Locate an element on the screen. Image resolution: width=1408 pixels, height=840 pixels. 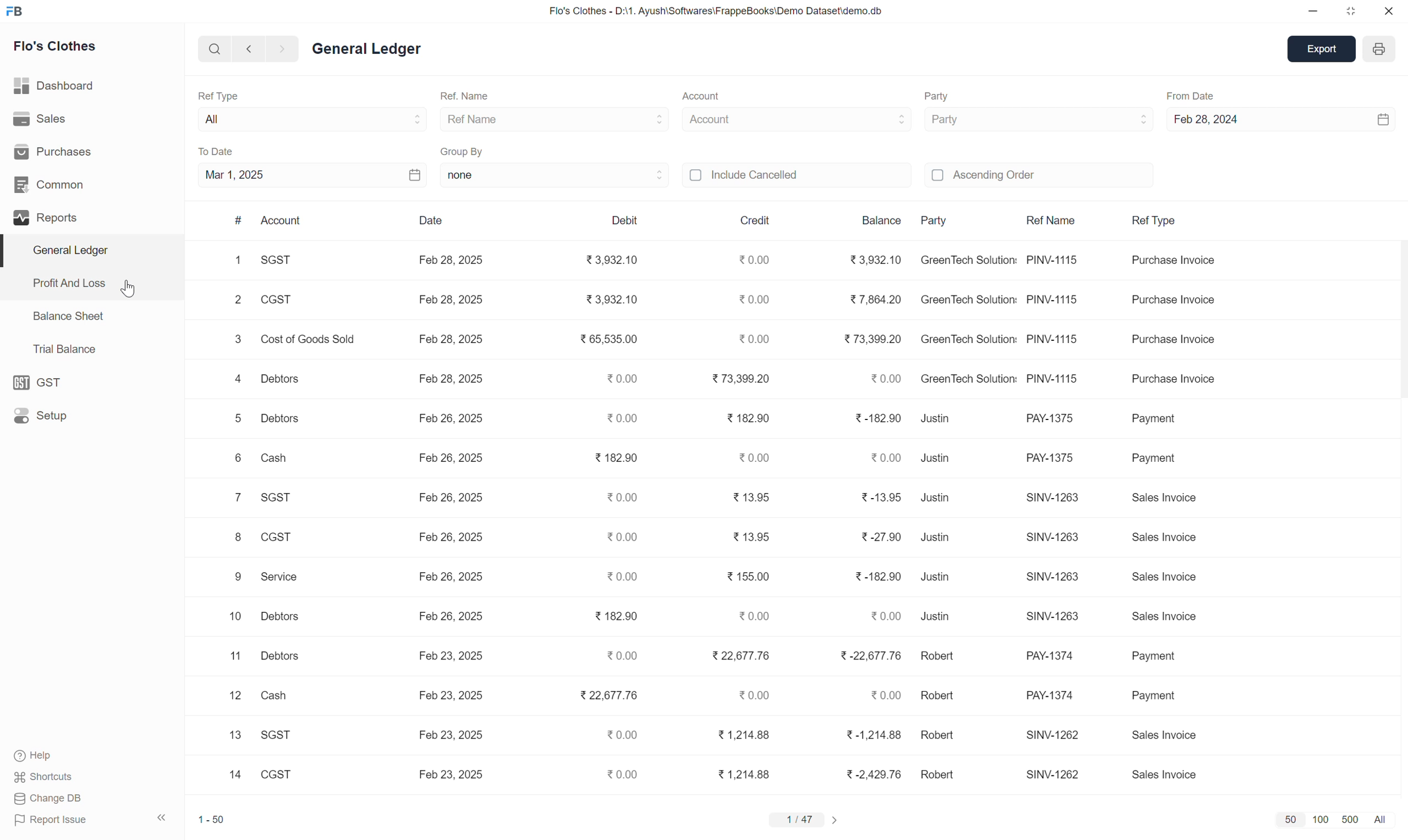
Debit is located at coordinates (627, 218).